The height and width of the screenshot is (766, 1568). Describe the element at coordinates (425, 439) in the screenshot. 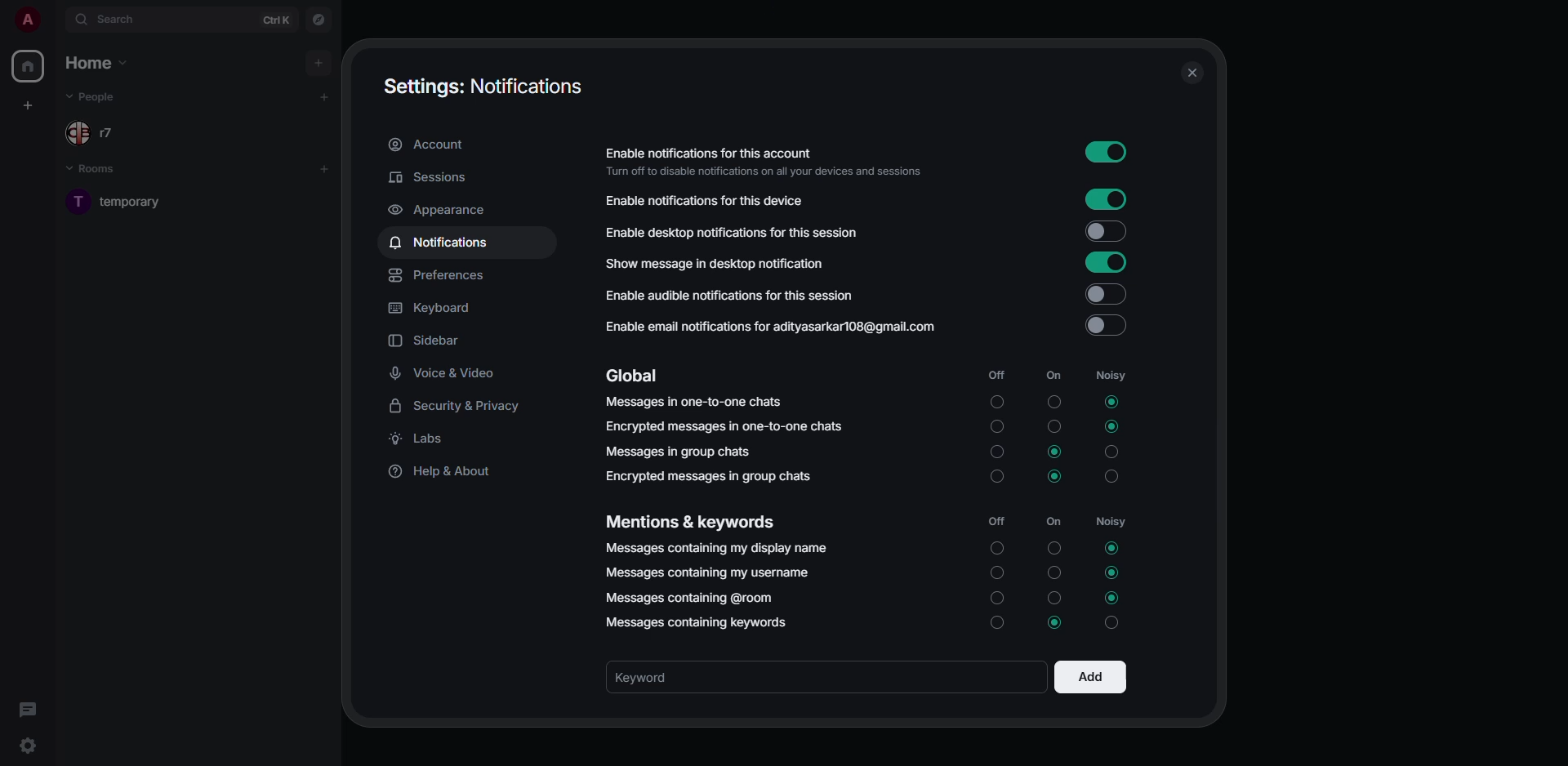

I see `labs` at that location.